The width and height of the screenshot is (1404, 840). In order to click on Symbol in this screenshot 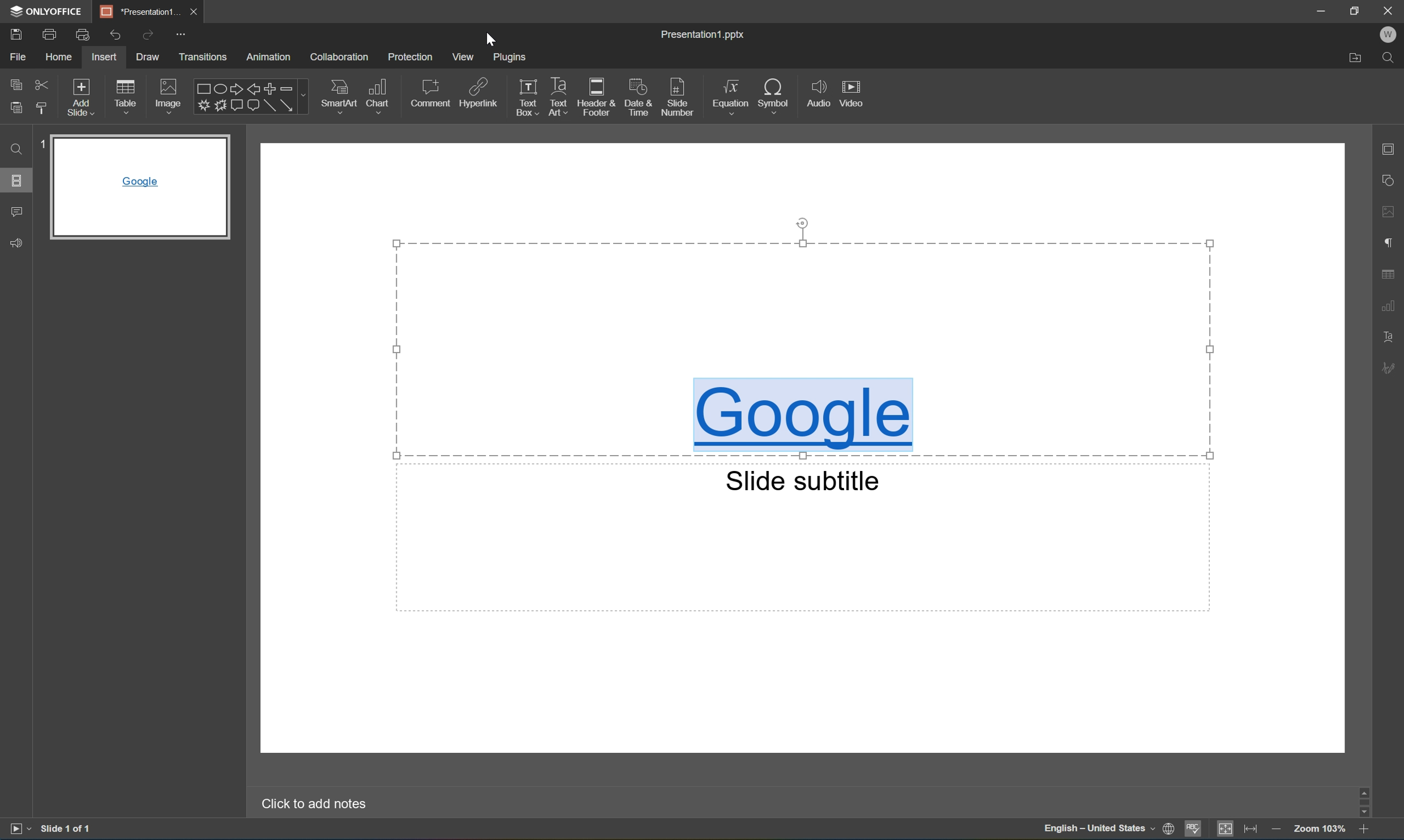, I will do `click(778, 95)`.